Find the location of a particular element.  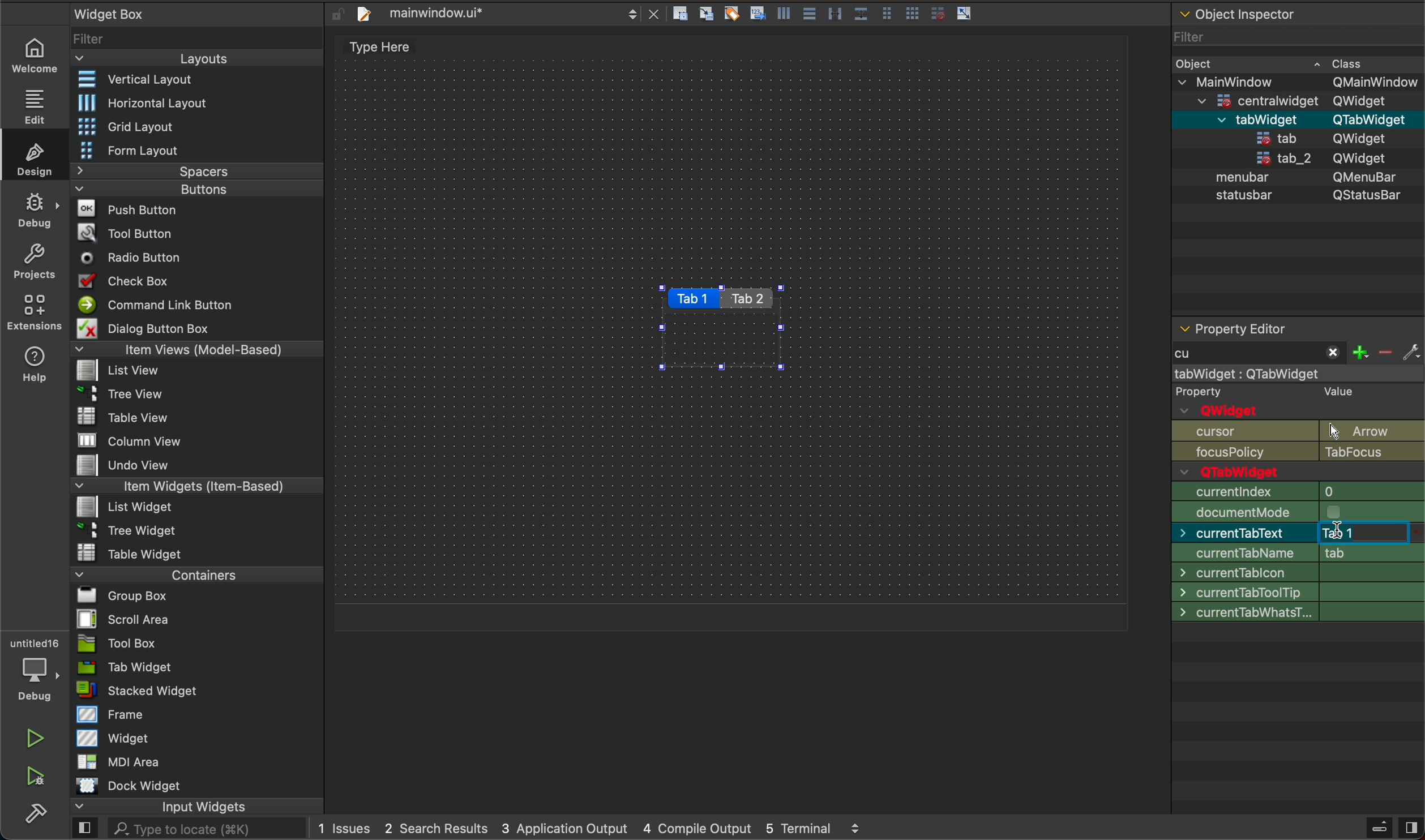

close sidebar is located at coordinates (1389, 828).